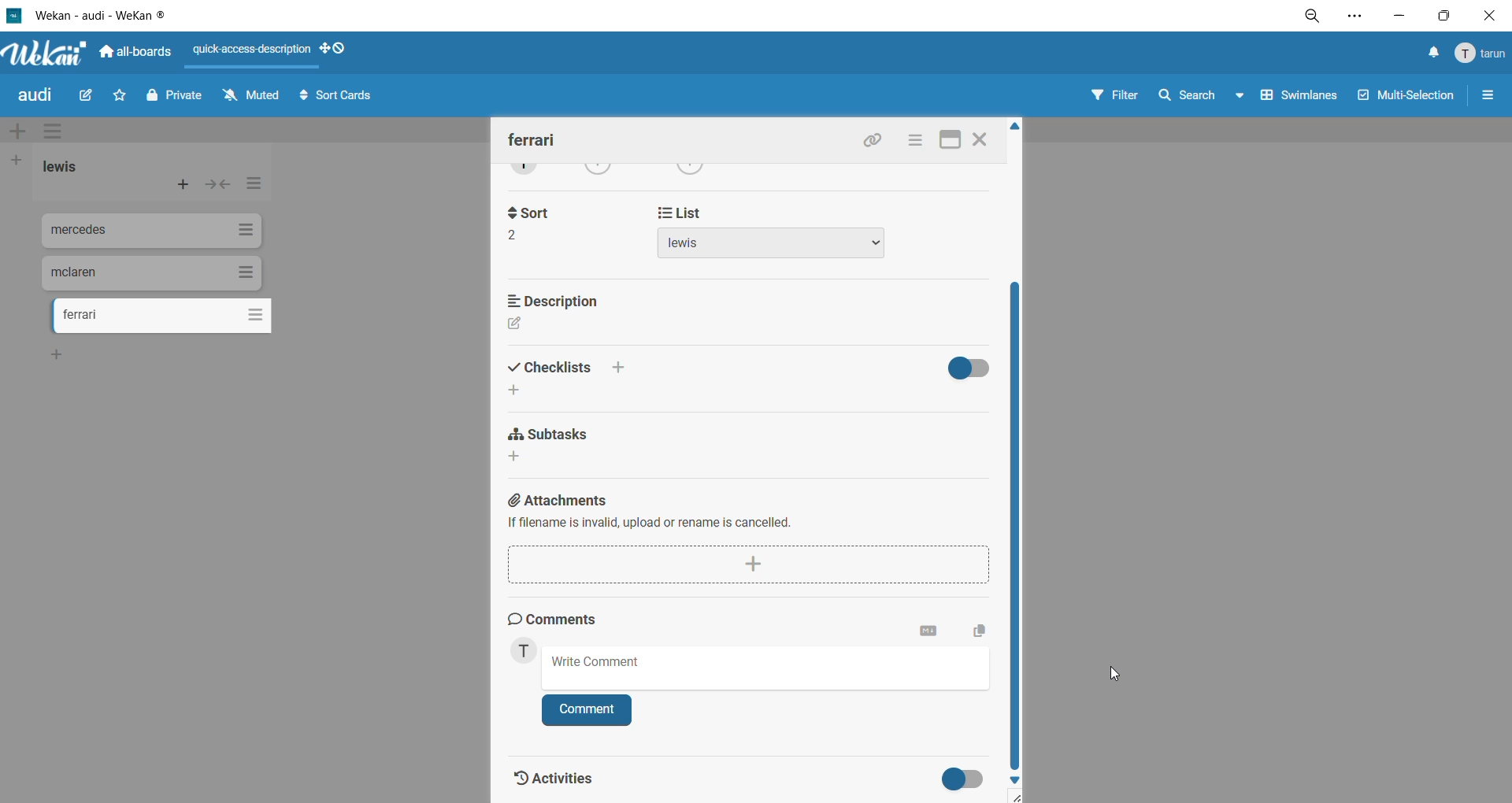 The image size is (1512, 803). What do you see at coordinates (62, 168) in the screenshot?
I see `list title` at bounding box center [62, 168].